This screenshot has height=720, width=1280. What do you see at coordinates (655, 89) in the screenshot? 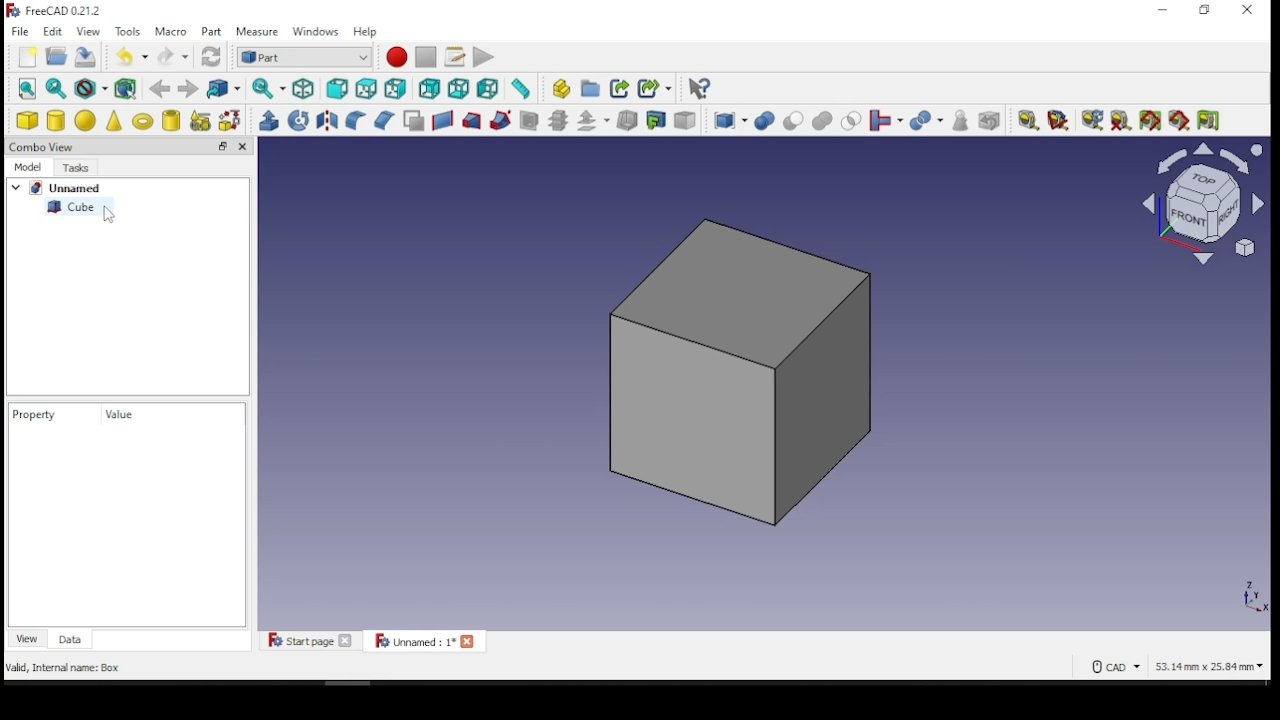
I see `make sub link` at bounding box center [655, 89].